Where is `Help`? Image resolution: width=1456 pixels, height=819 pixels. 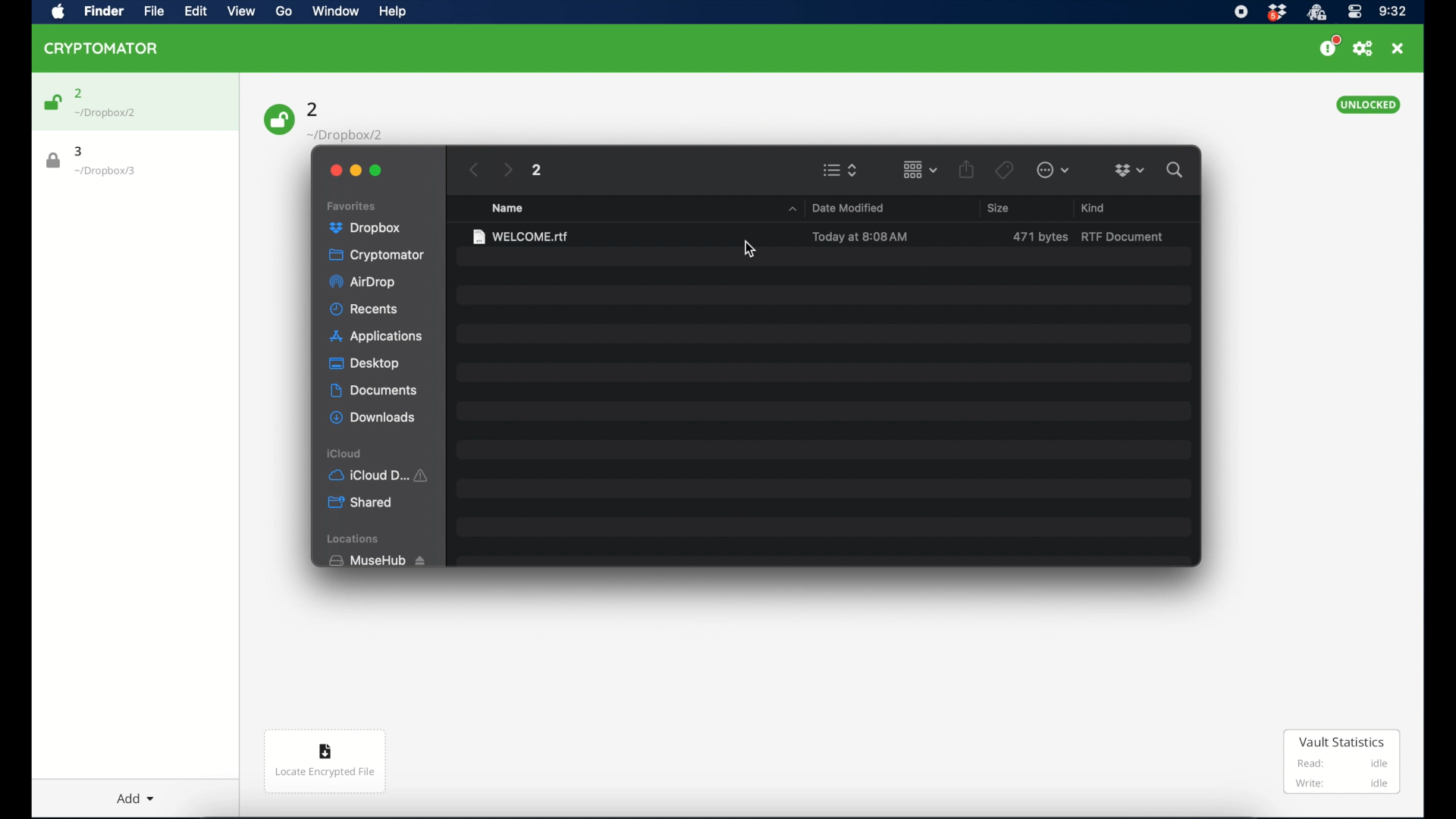
Help is located at coordinates (398, 12).